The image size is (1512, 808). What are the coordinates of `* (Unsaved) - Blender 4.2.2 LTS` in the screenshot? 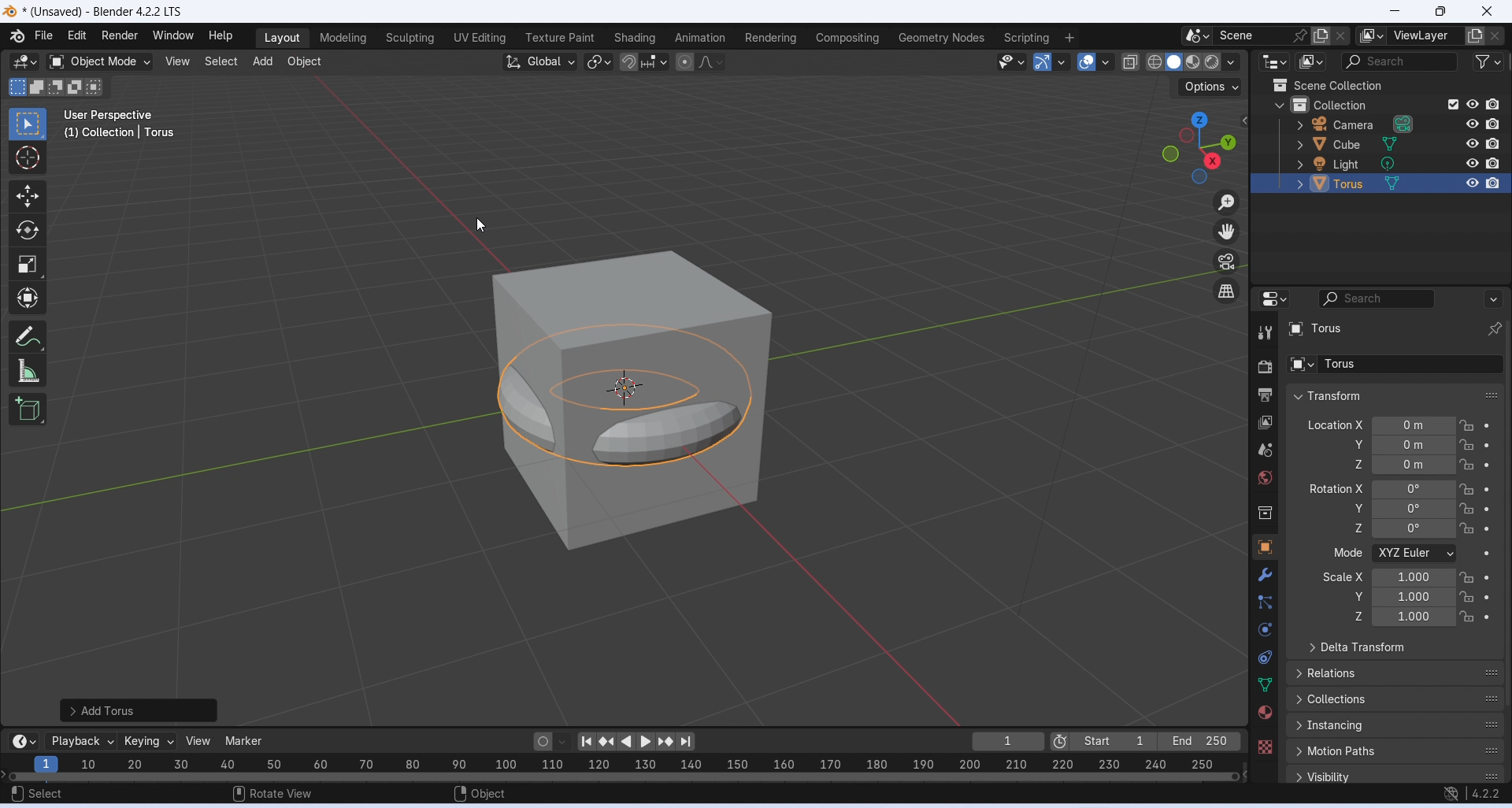 It's located at (106, 12).